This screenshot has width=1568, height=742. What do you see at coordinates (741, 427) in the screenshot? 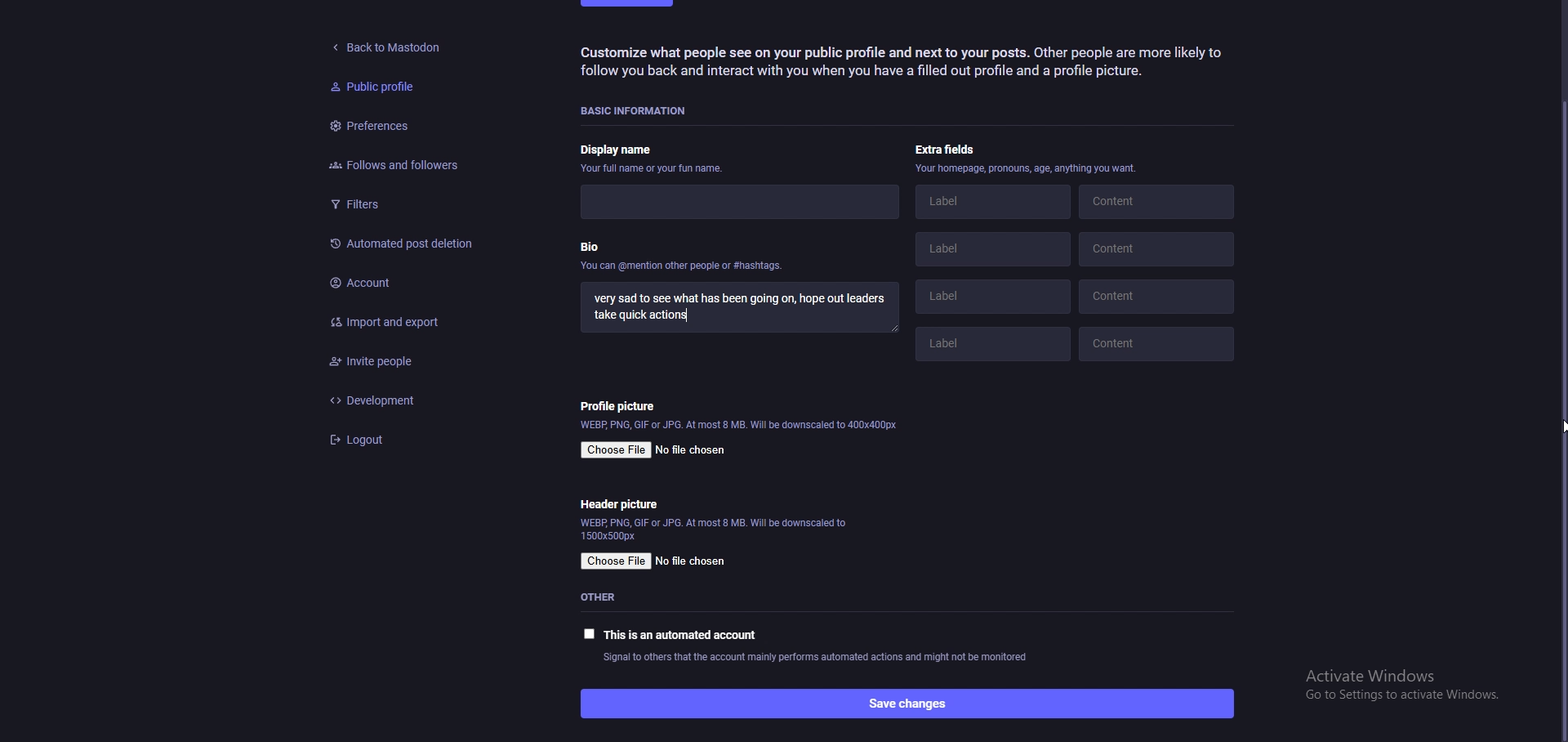
I see `info` at bounding box center [741, 427].